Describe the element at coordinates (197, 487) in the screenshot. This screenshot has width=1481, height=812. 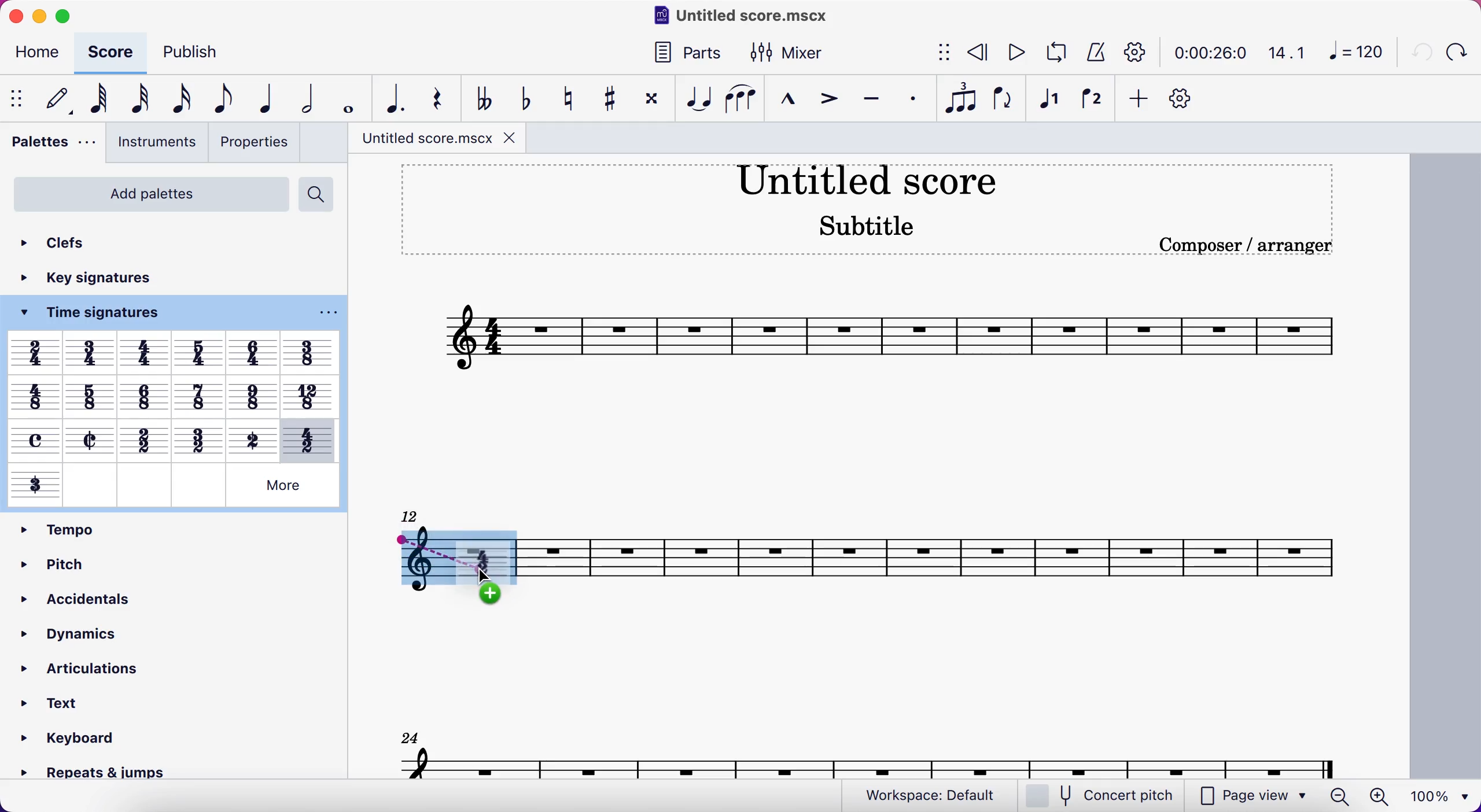
I see `` at that location.